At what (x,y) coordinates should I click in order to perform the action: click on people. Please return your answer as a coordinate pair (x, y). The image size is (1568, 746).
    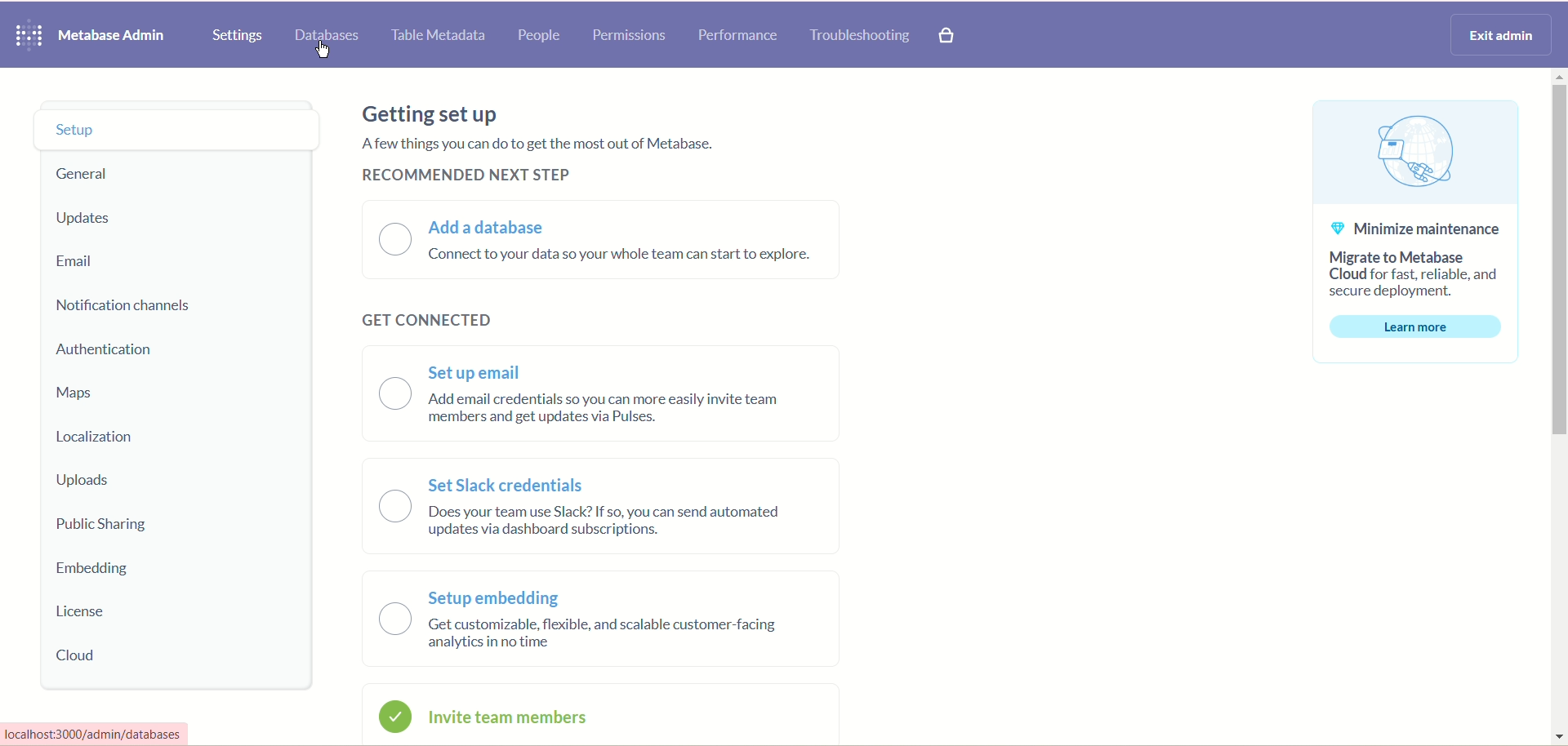
    Looking at the image, I should click on (540, 37).